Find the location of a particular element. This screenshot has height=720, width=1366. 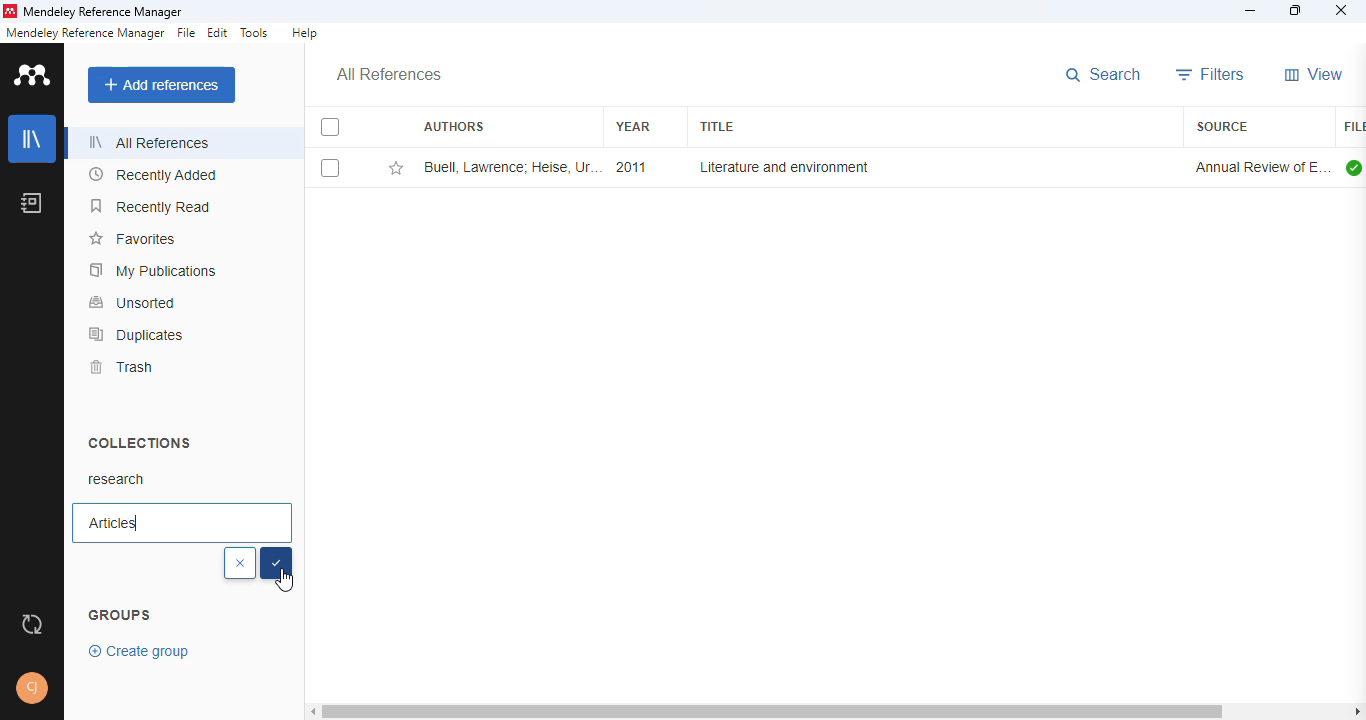

select is located at coordinates (331, 127).